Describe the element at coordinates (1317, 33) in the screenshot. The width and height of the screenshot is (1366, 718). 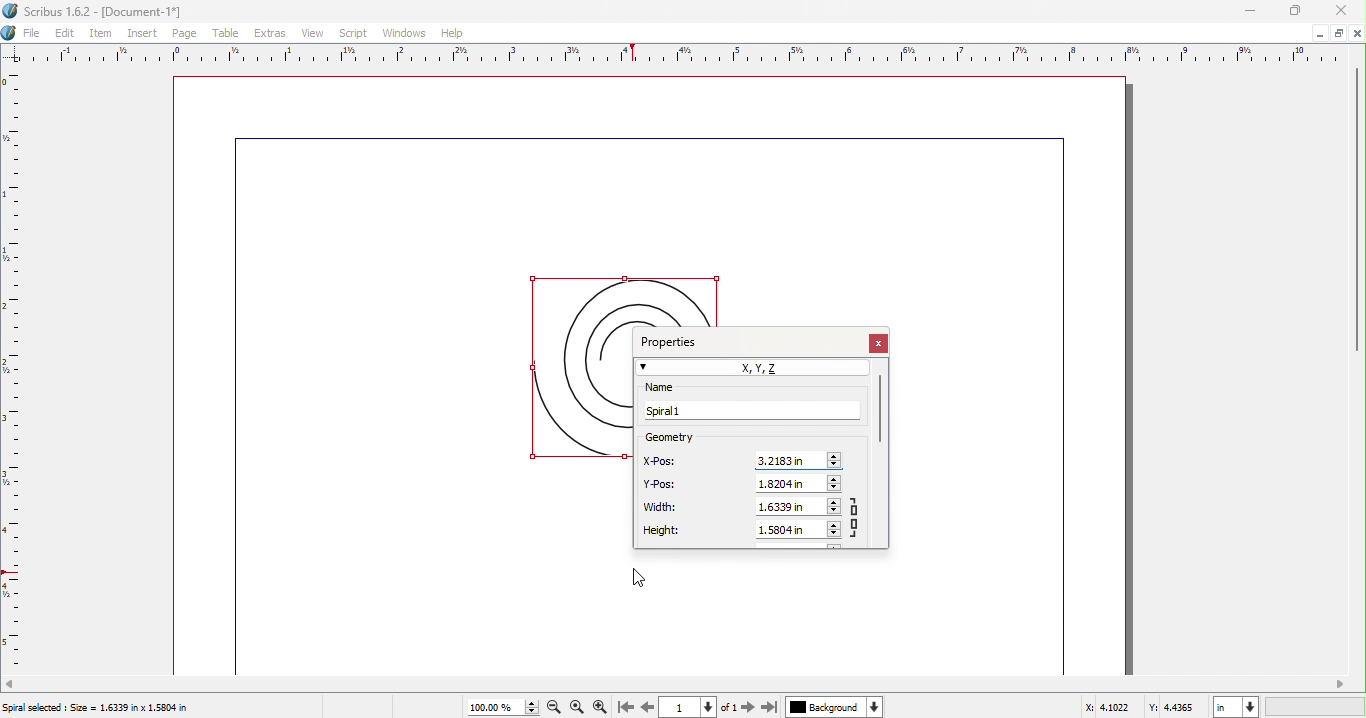
I see `Minimize` at that location.